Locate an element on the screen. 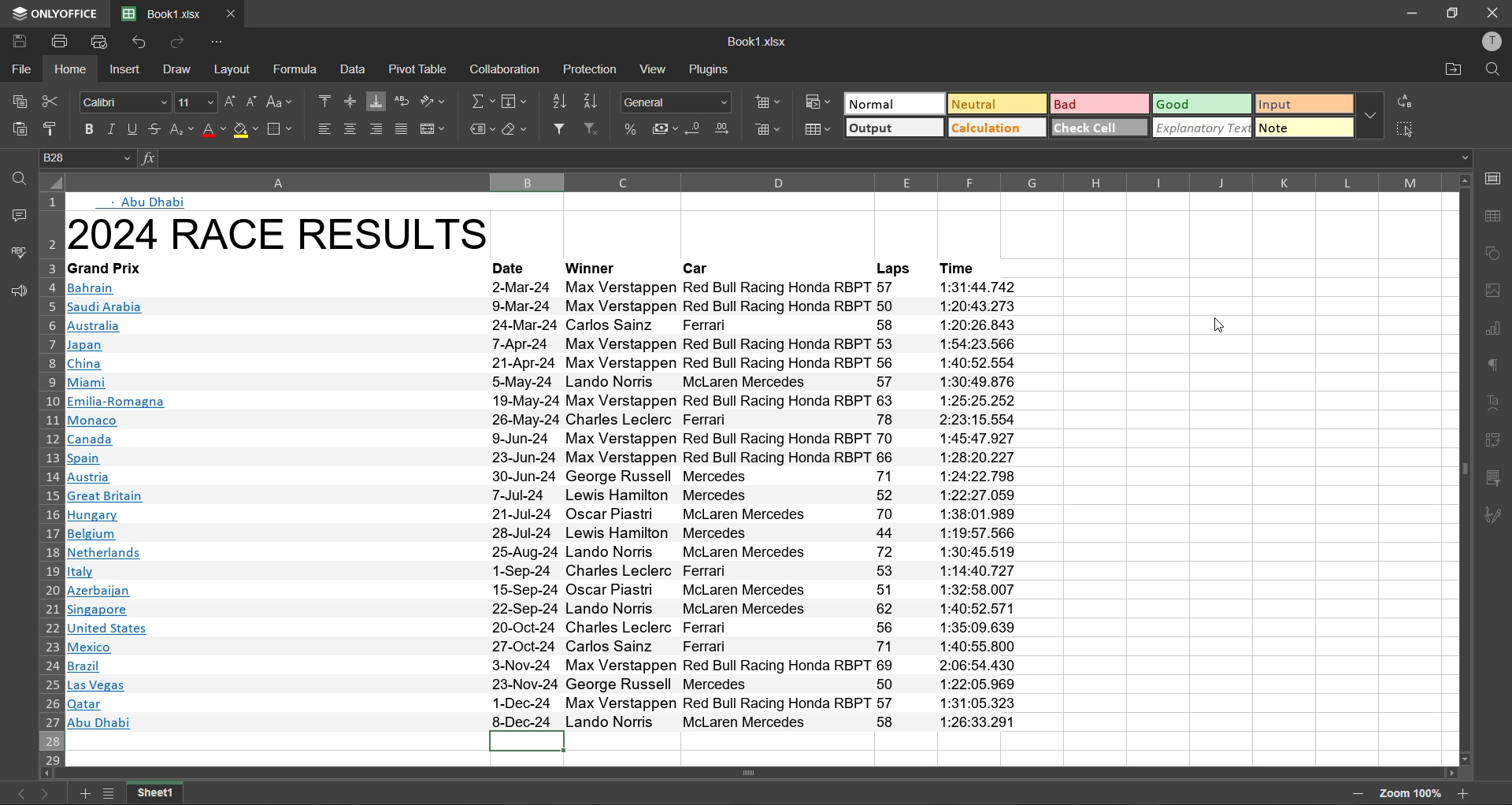  #8 Abu Dhabi 8-Dec-24 Lando Norris McLaren Mercedes 58 1:26:33.291 is located at coordinates (543, 722).